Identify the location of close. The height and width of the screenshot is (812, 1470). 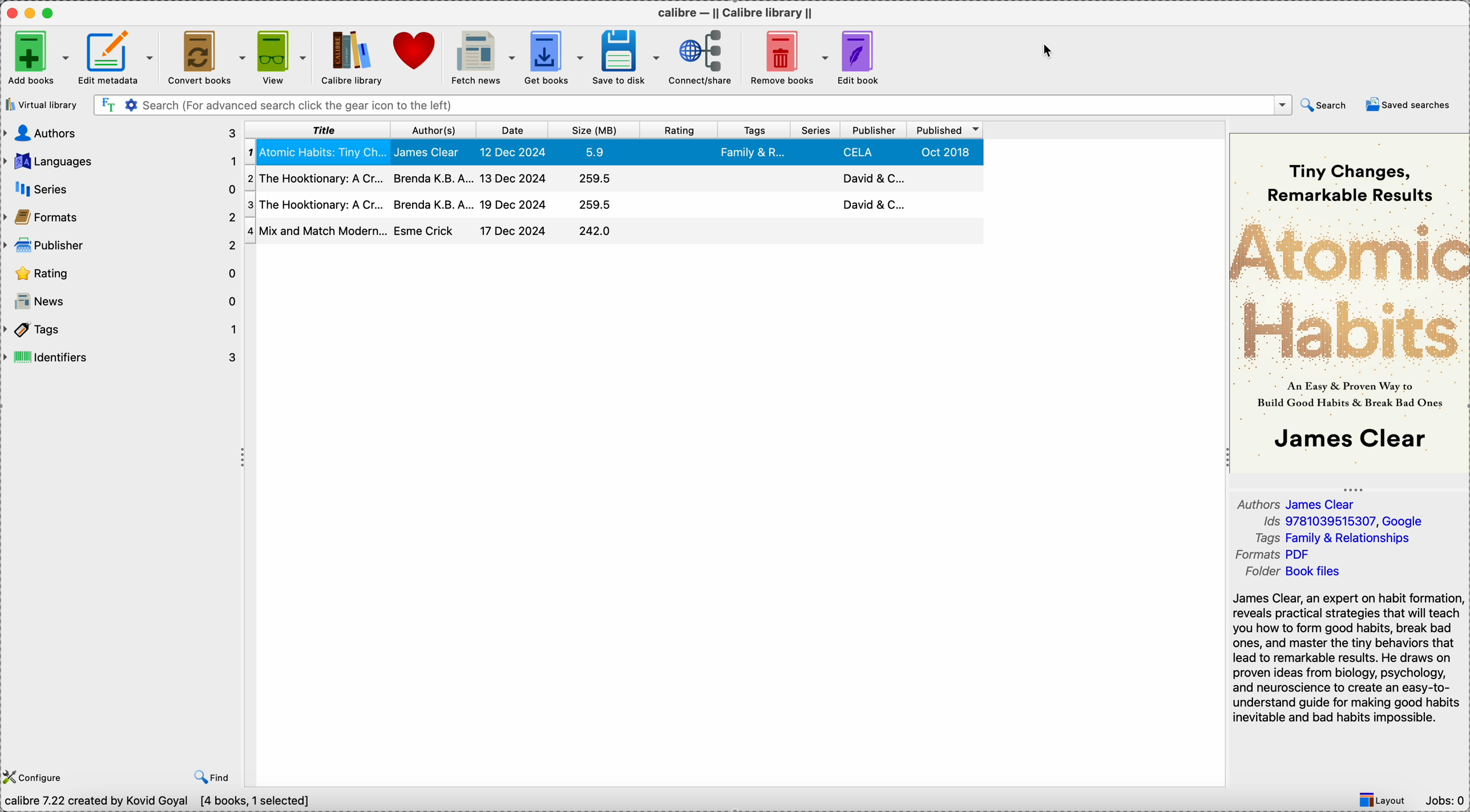
(1260, 105).